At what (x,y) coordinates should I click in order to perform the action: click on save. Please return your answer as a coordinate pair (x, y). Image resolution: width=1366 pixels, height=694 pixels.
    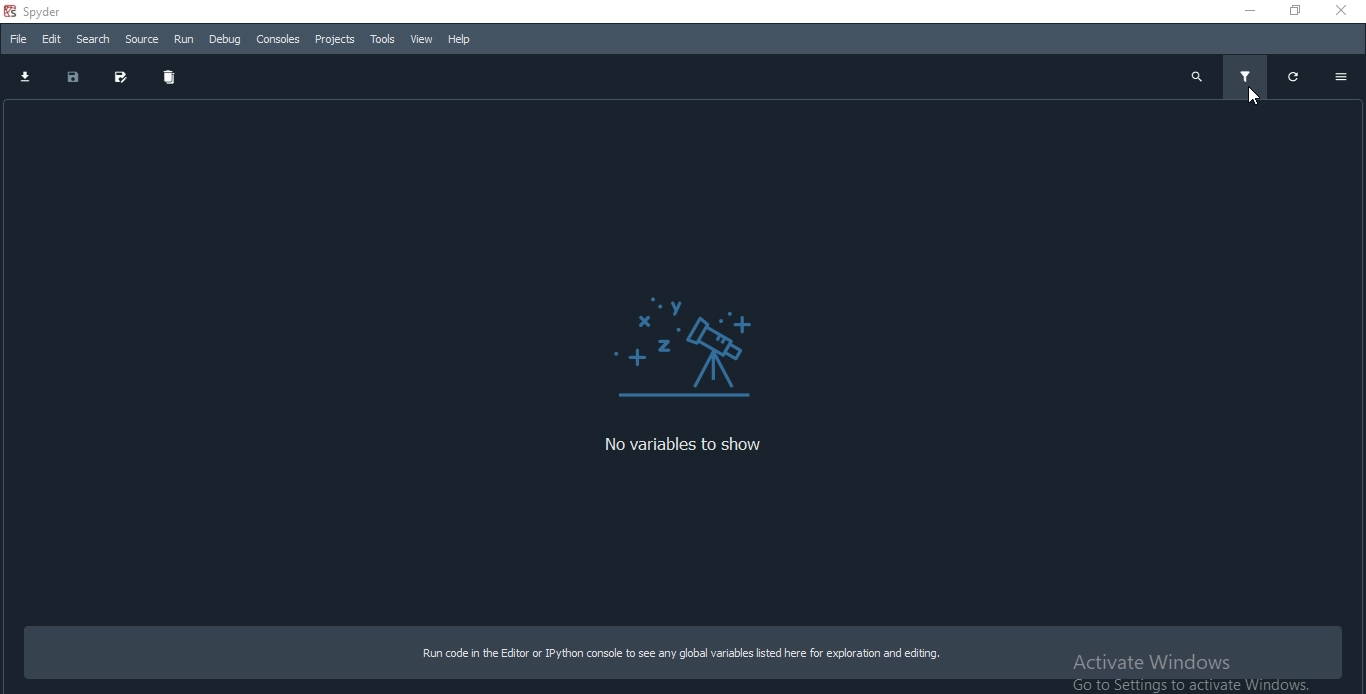
    Looking at the image, I should click on (74, 74).